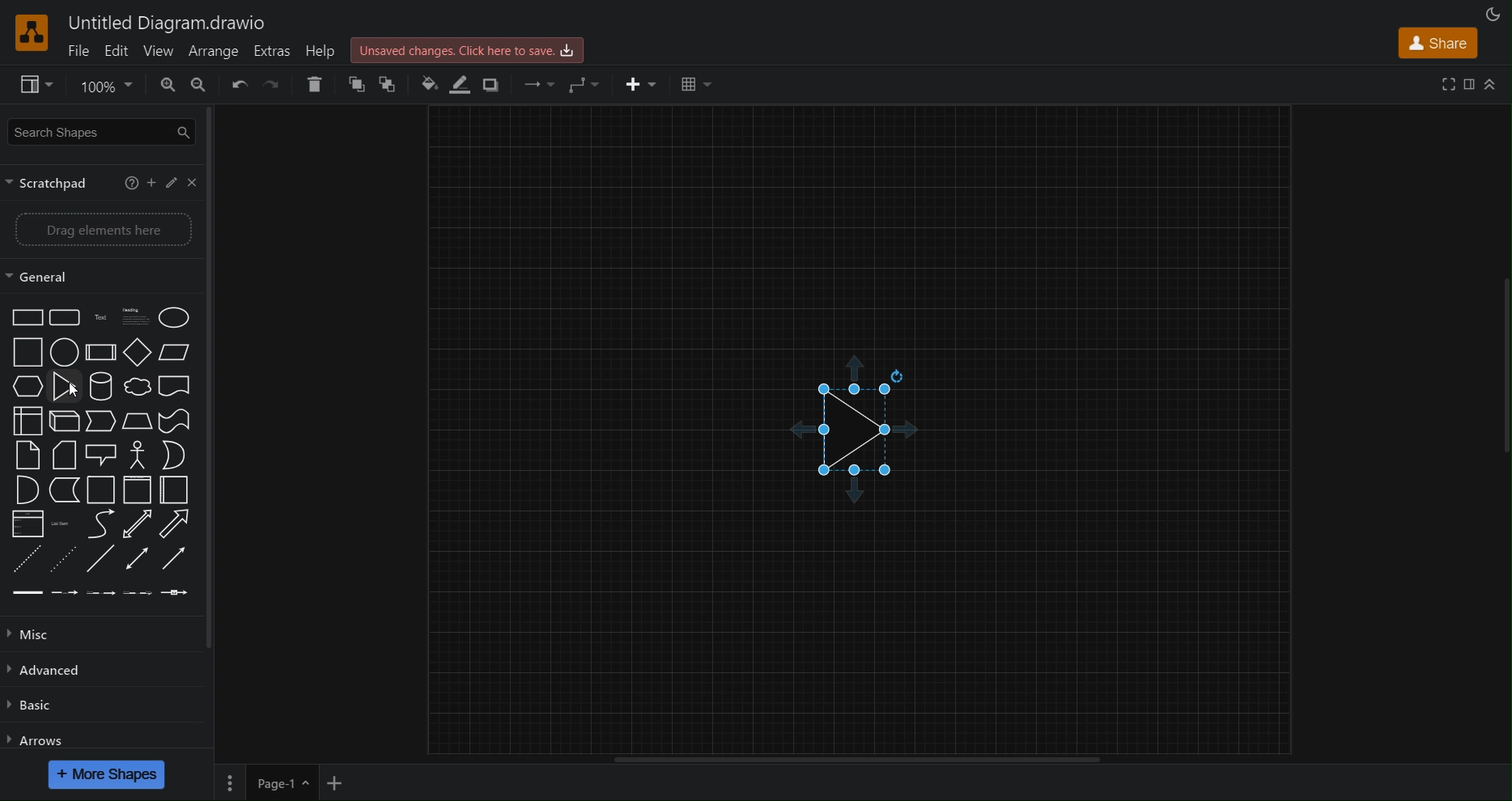 Image resolution: width=1512 pixels, height=801 pixels. I want to click on Scrollbar, so click(1502, 352).